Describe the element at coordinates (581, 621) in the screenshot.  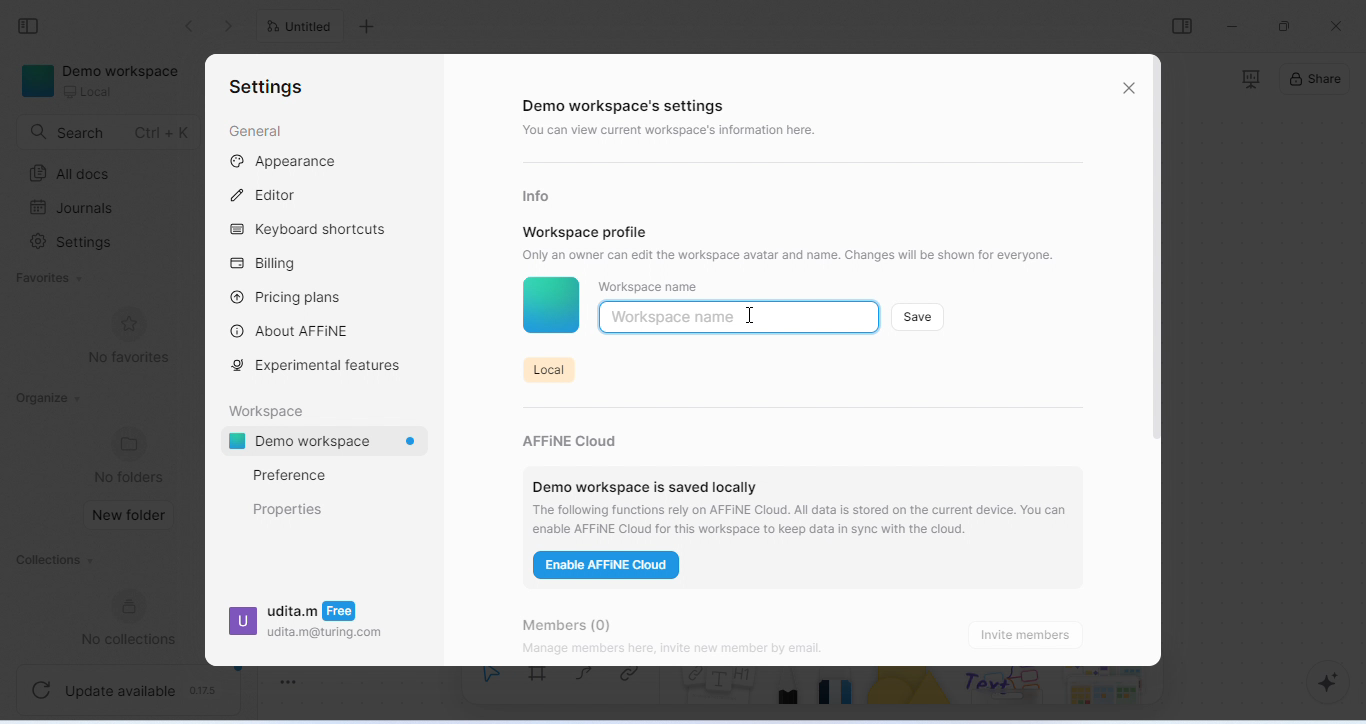
I see `members` at that location.